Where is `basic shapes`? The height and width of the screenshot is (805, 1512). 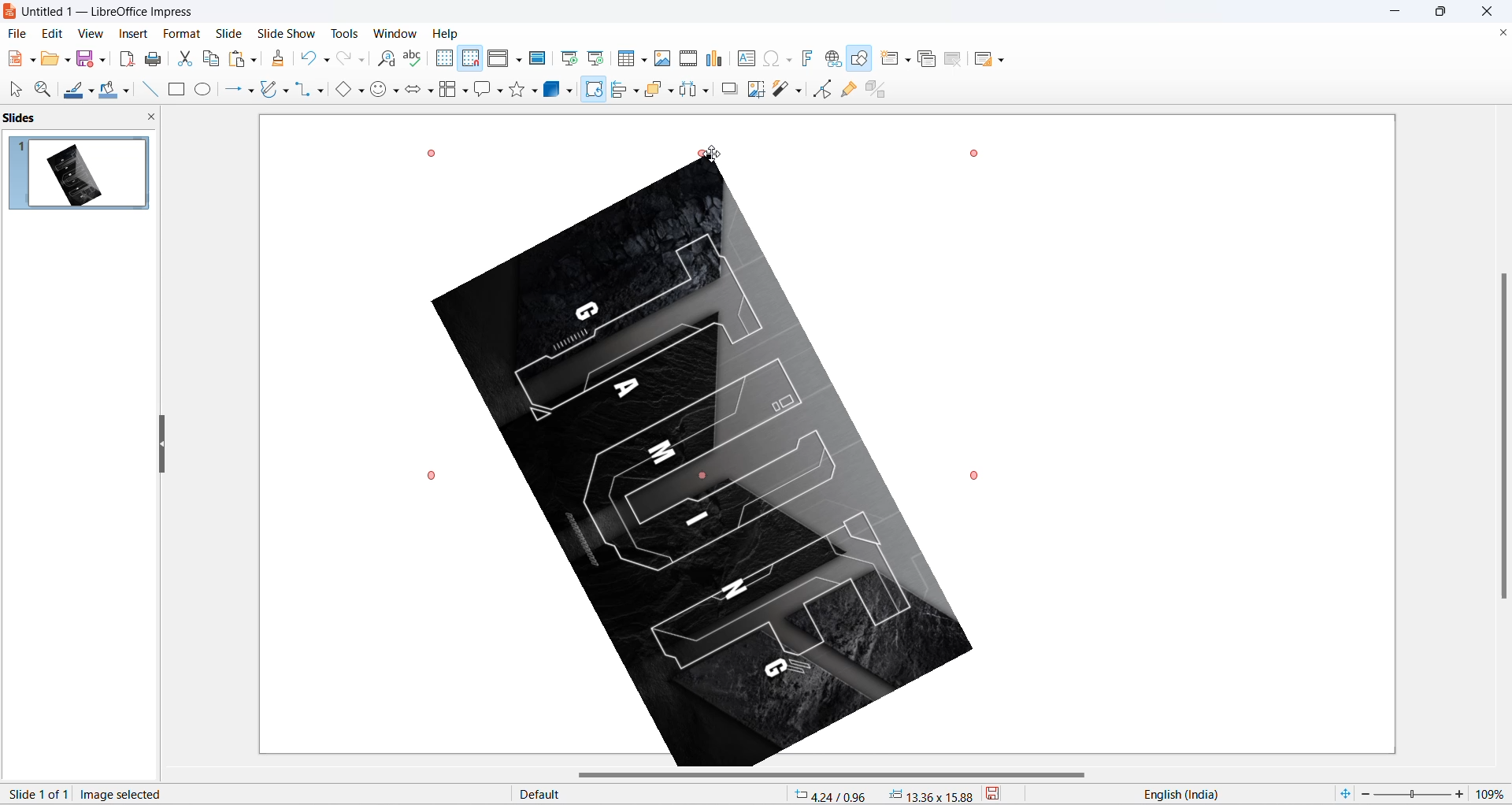 basic shapes is located at coordinates (339, 91).